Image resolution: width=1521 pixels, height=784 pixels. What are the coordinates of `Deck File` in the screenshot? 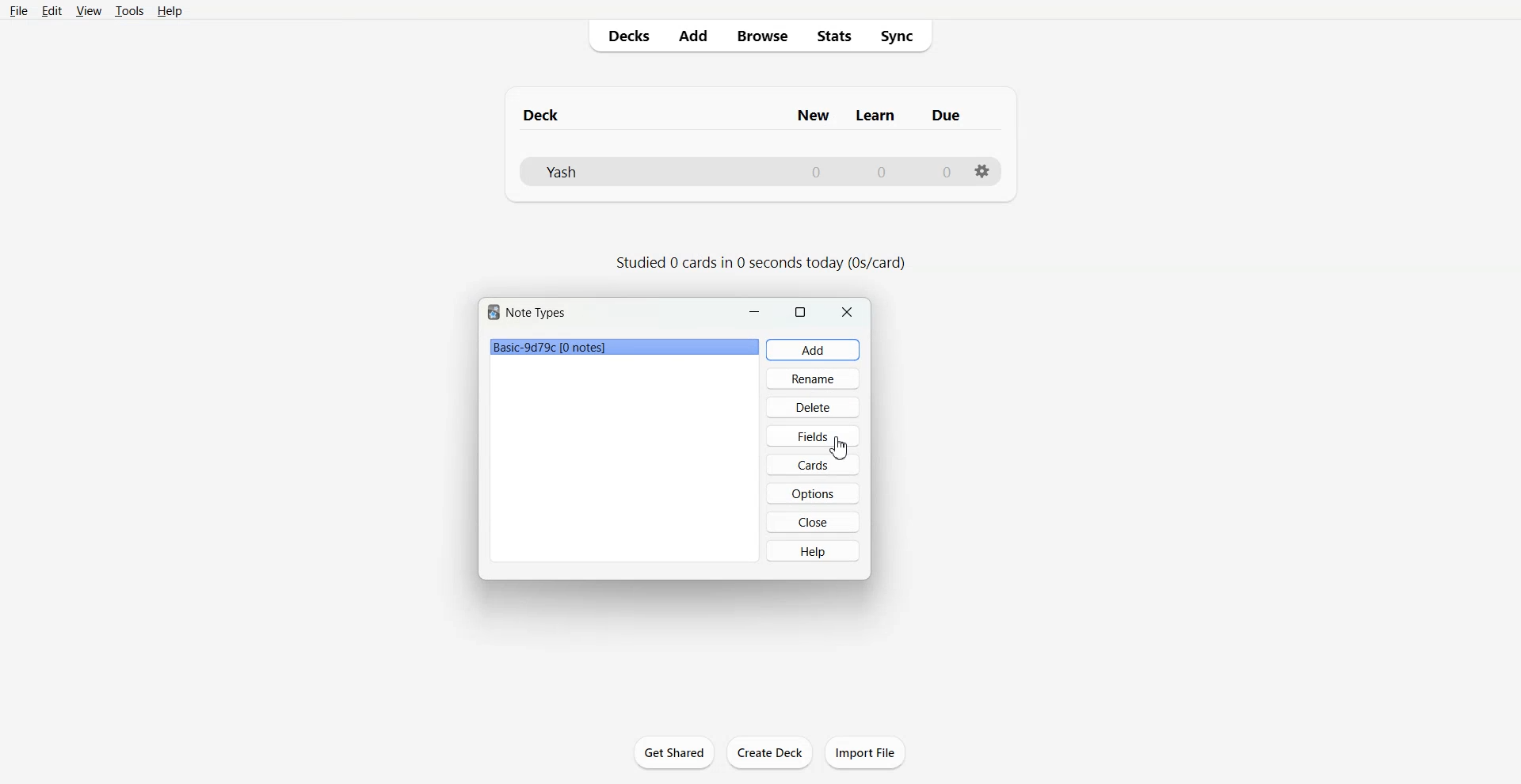 It's located at (650, 172).